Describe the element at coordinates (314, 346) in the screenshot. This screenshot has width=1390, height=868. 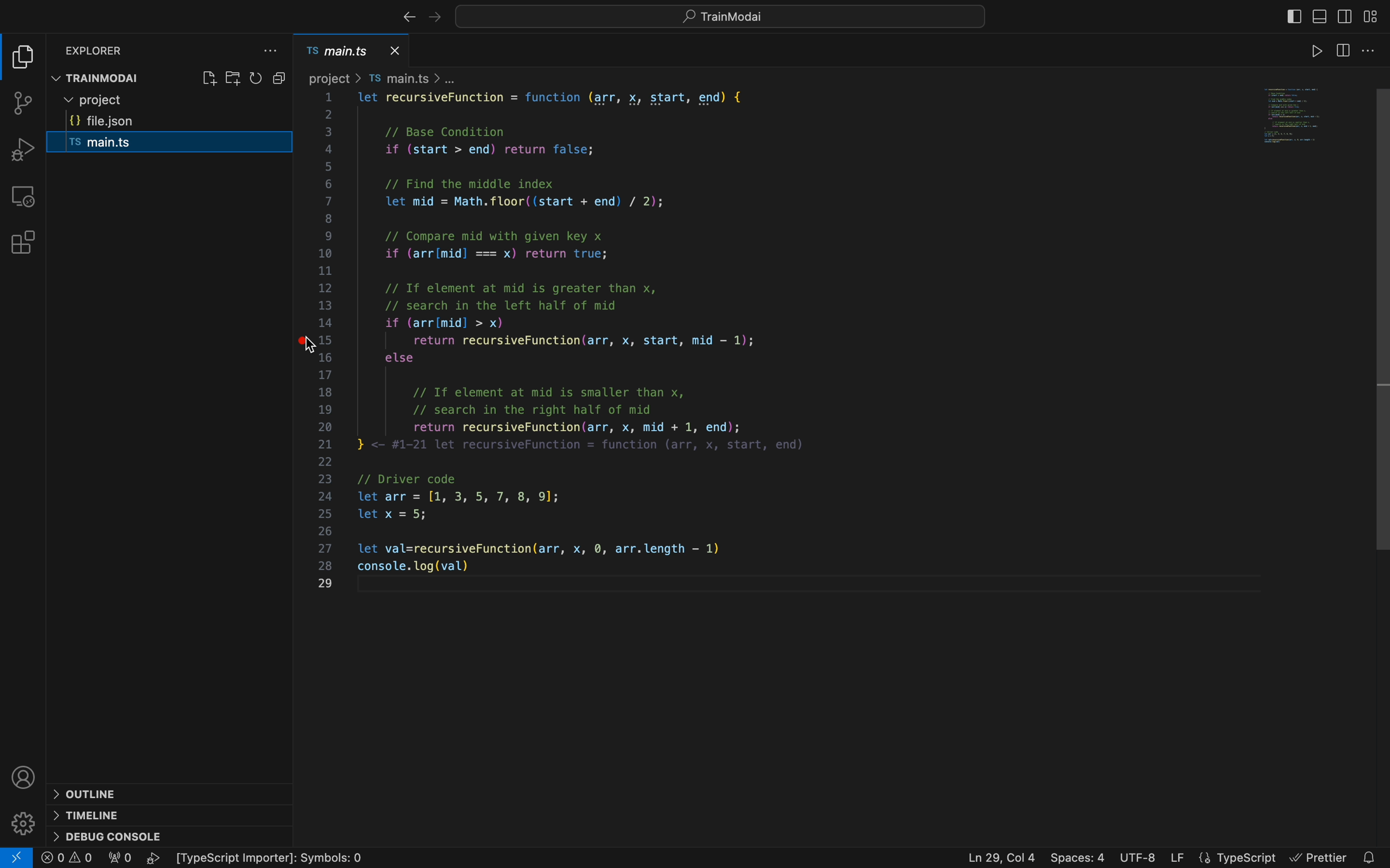
I see `Cursor` at that location.